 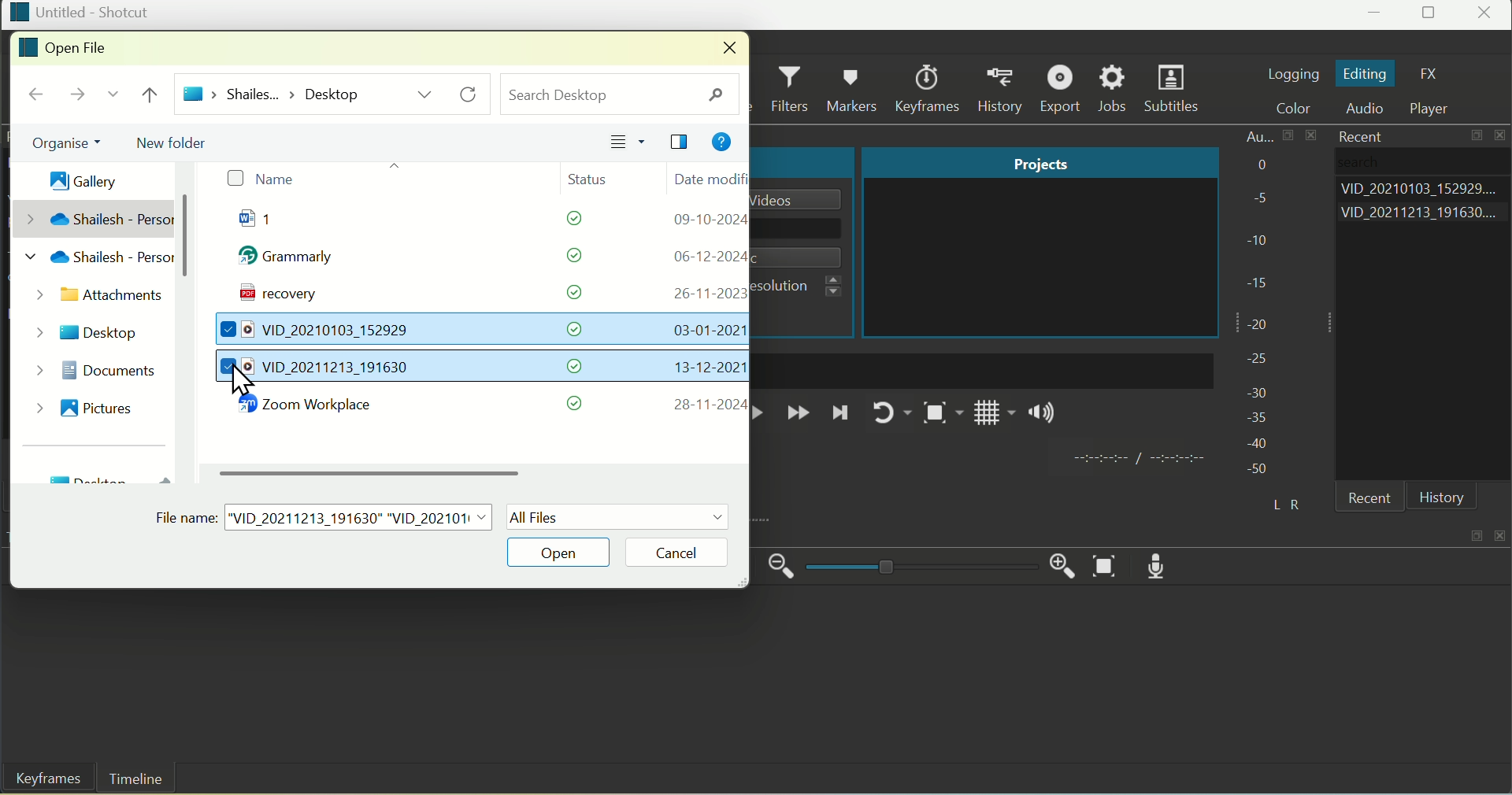 I want to click on Close, so click(x=1487, y=15).